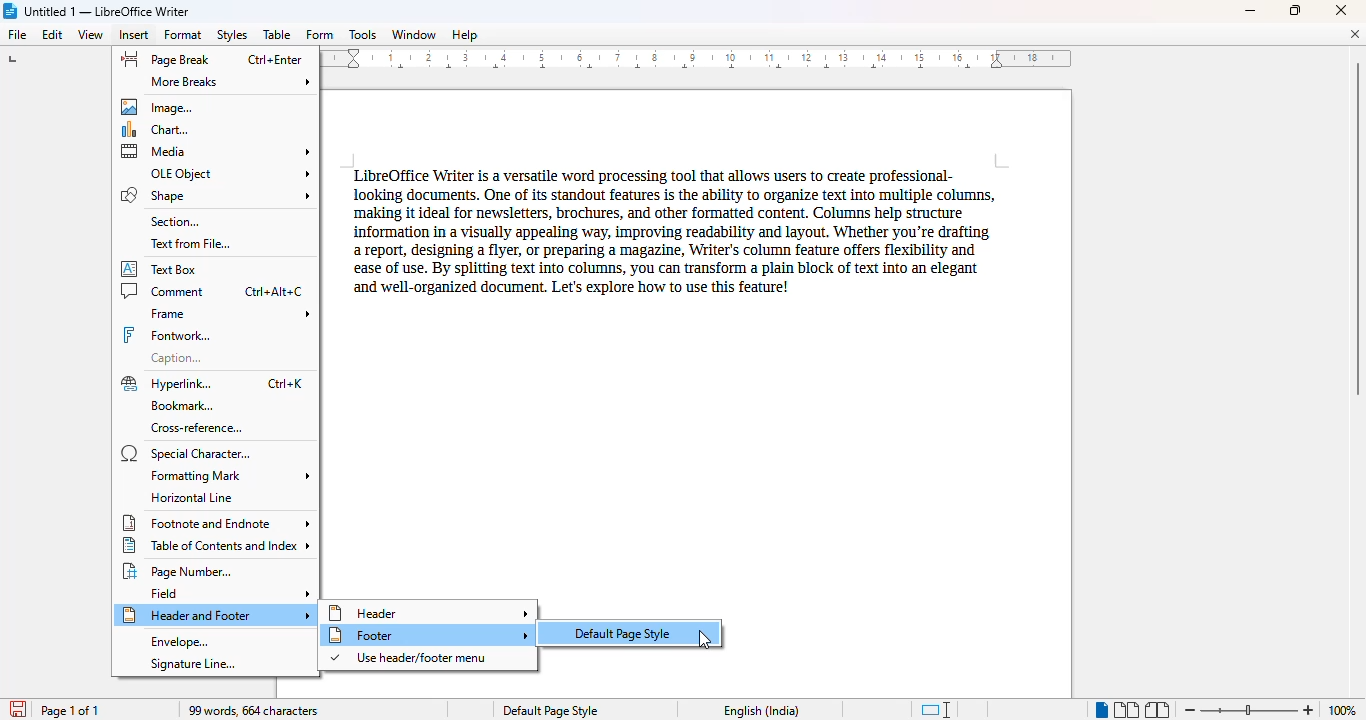 The image size is (1366, 720). Describe the element at coordinates (1097, 709) in the screenshot. I see `one page view` at that location.